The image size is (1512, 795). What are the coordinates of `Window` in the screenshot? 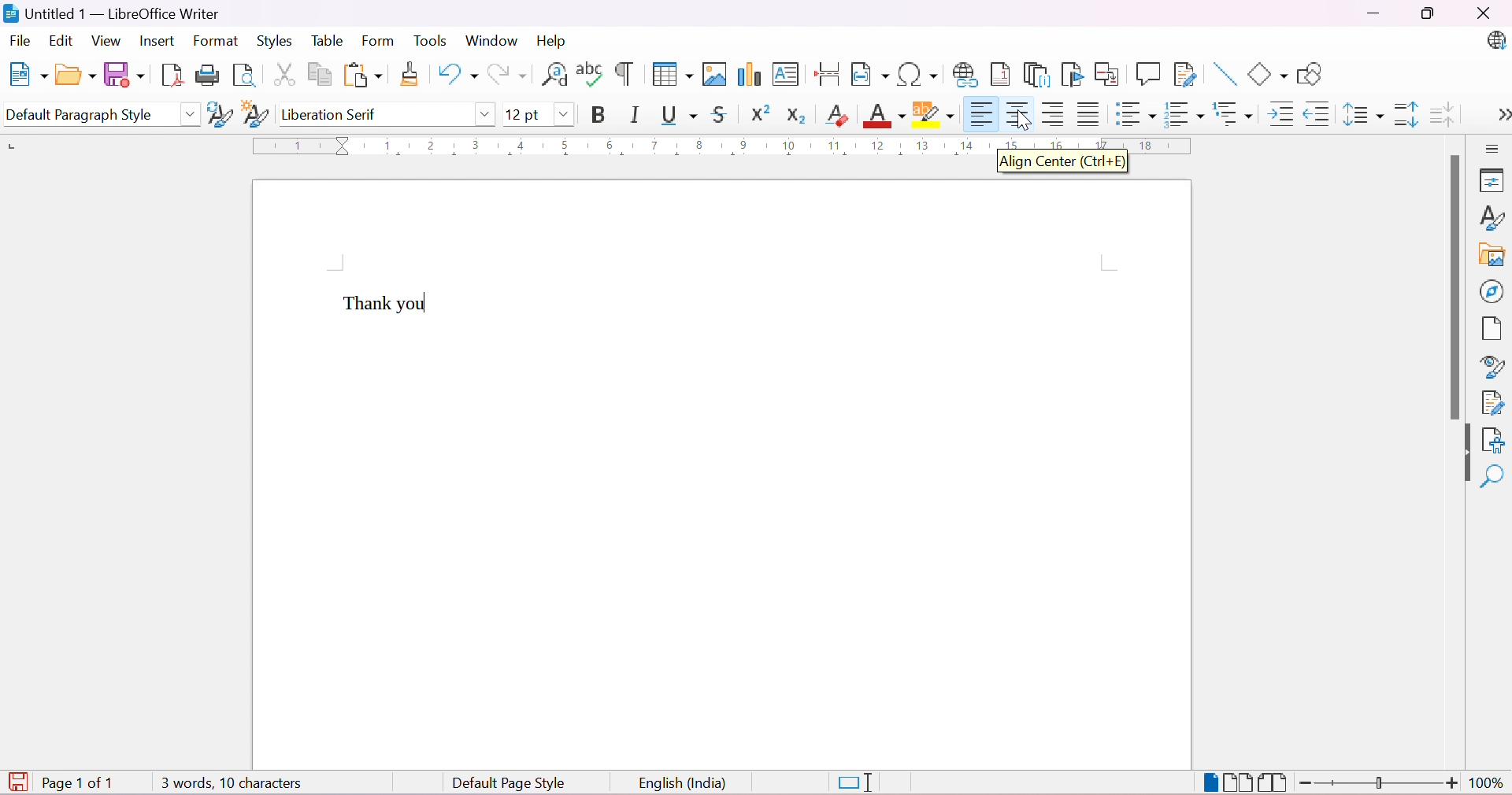 It's located at (491, 40).